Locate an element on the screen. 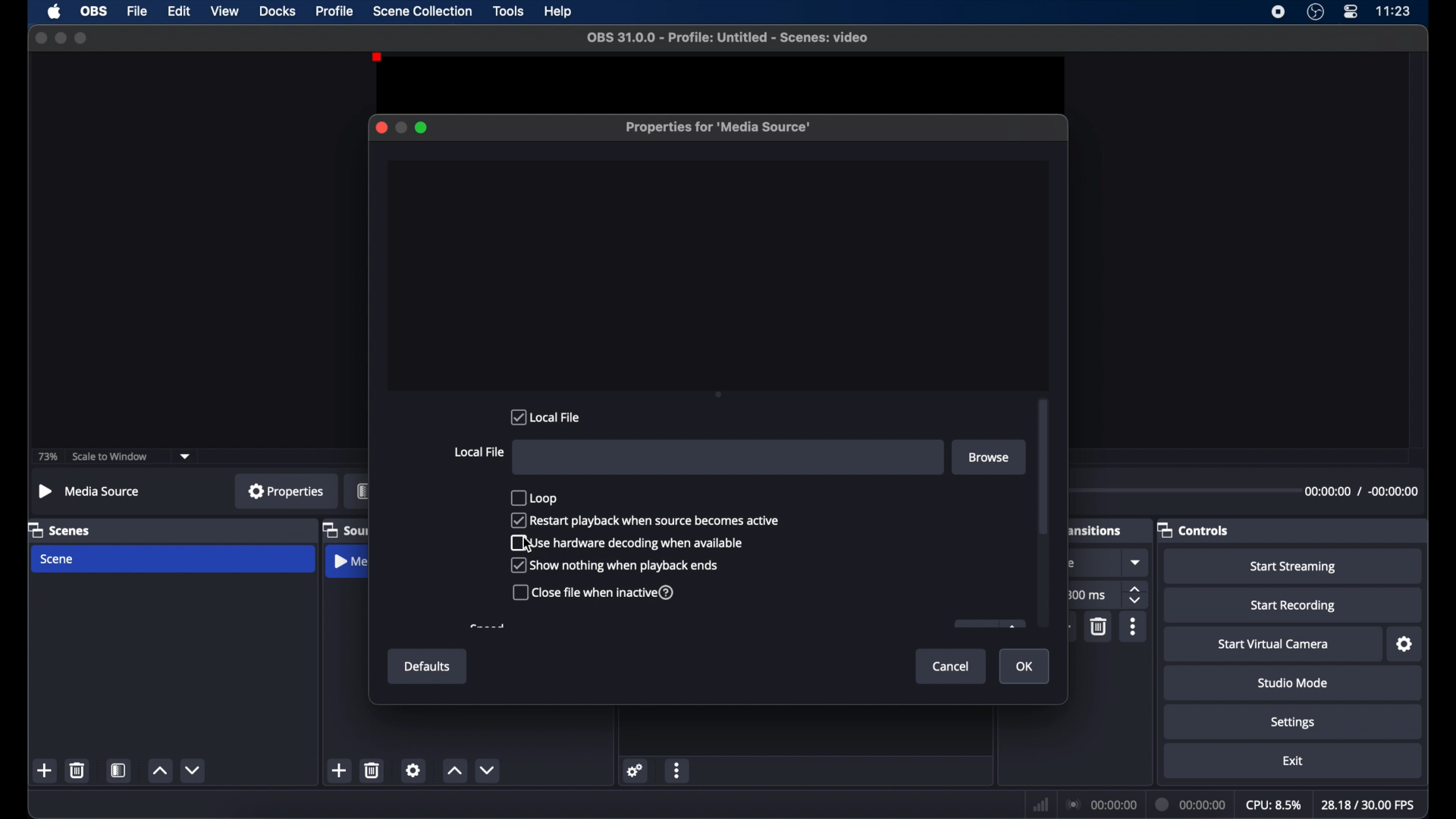  obs studio is located at coordinates (1315, 12).